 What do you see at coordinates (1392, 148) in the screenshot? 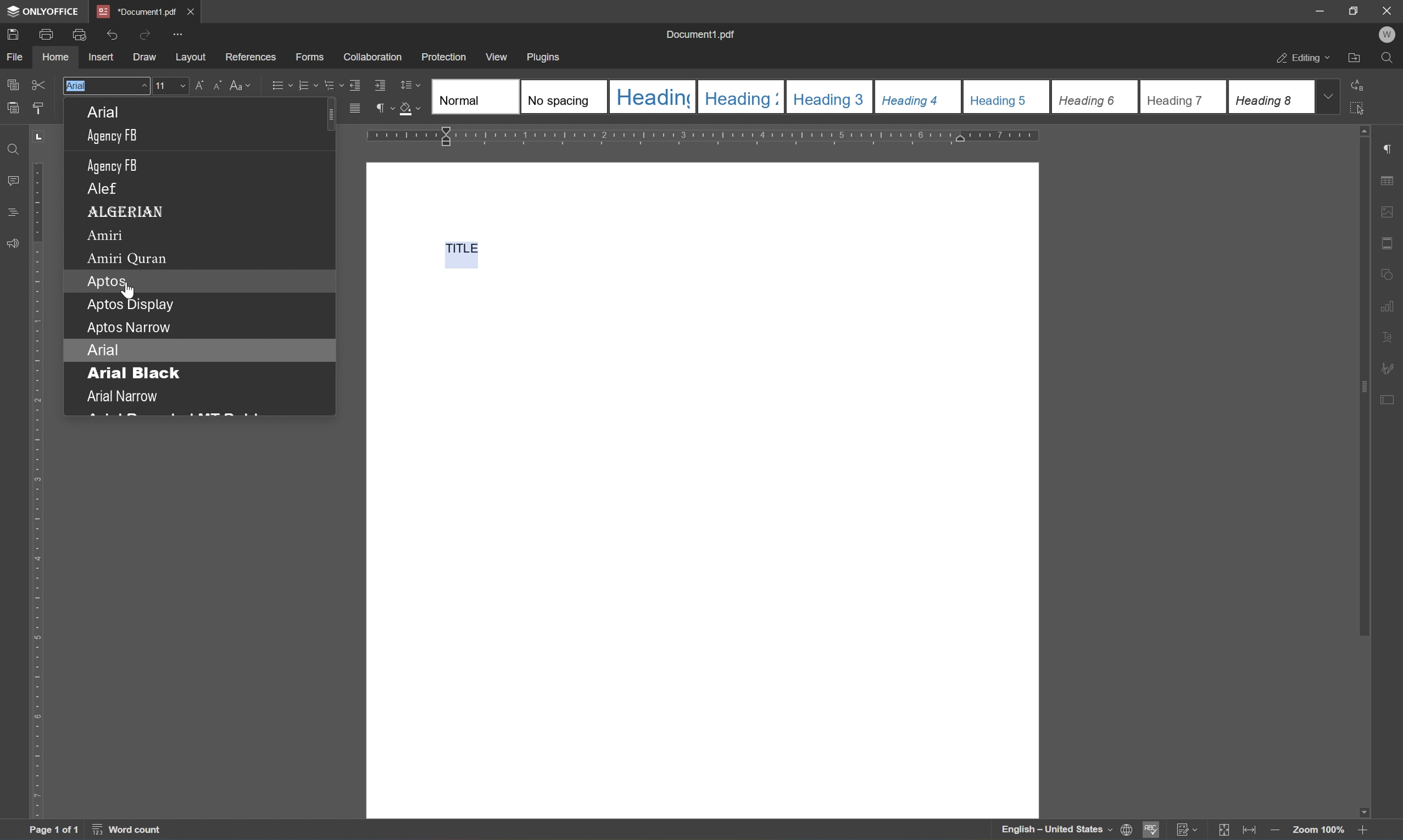
I see `paragraph settings` at bounding box center [1392, 148].